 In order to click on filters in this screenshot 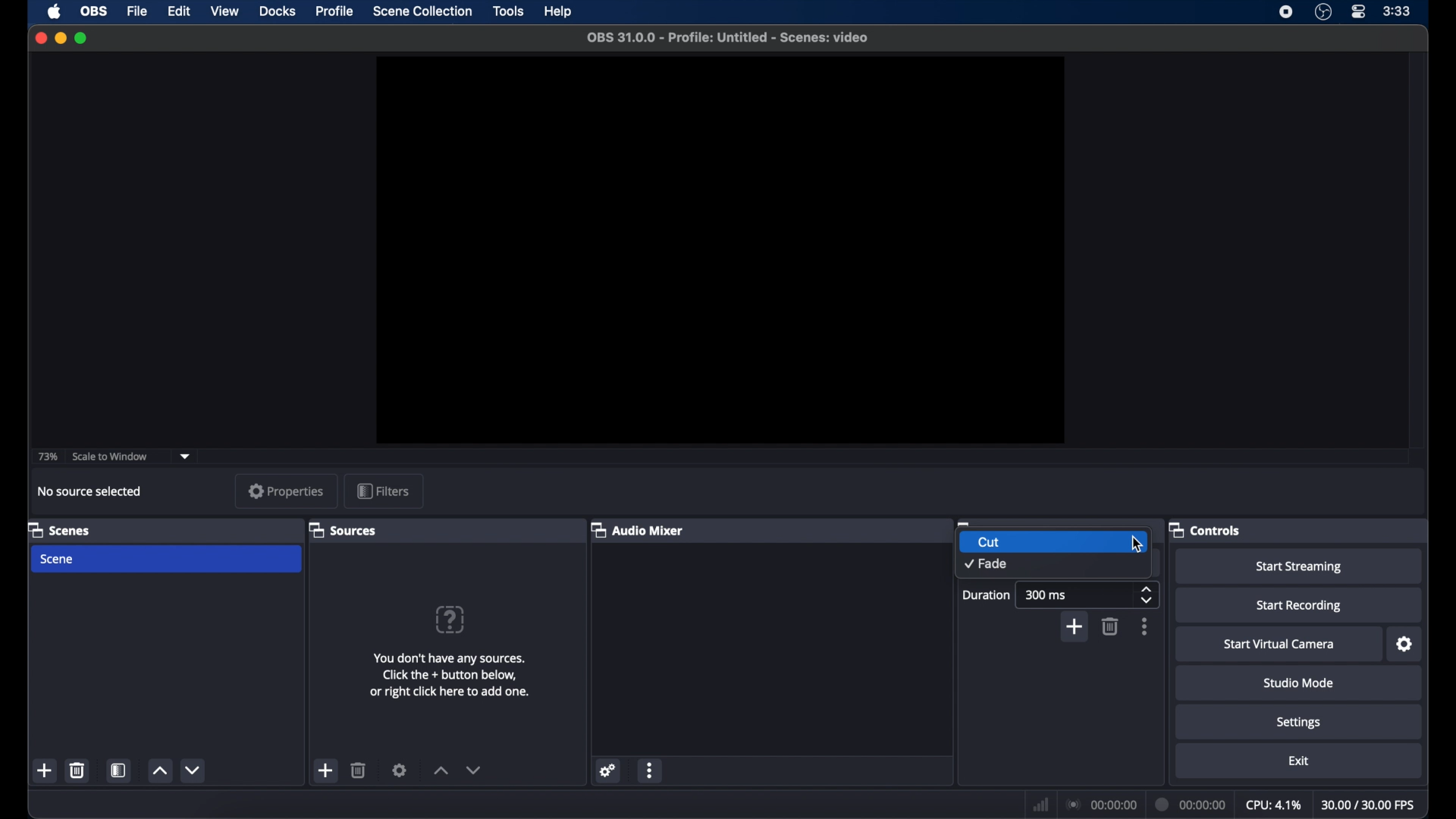, I will do `click(385, 490)`.